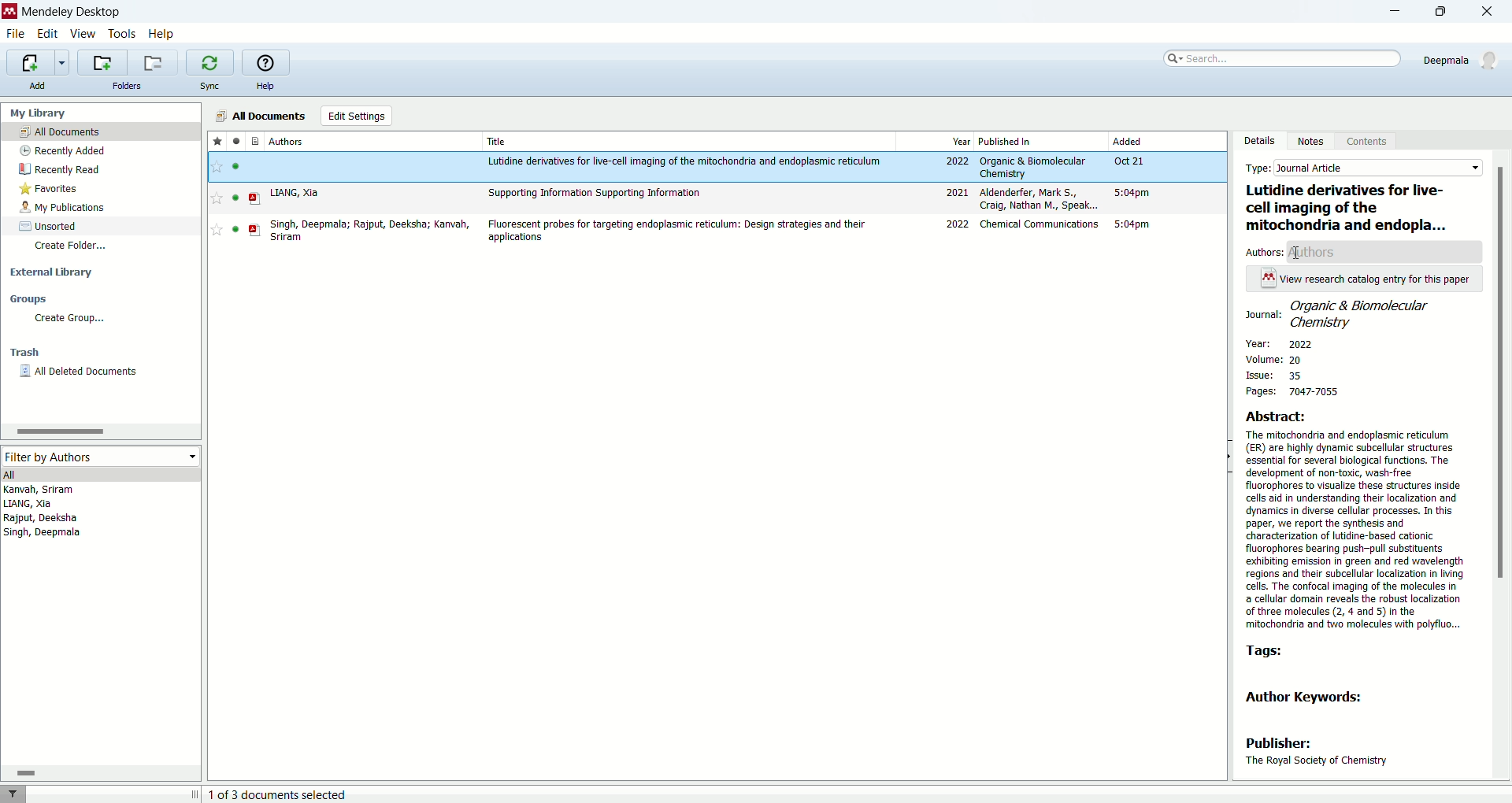 The width and height of the screenshot is (1512, 803). I want to click on added, so click(1142, 142).